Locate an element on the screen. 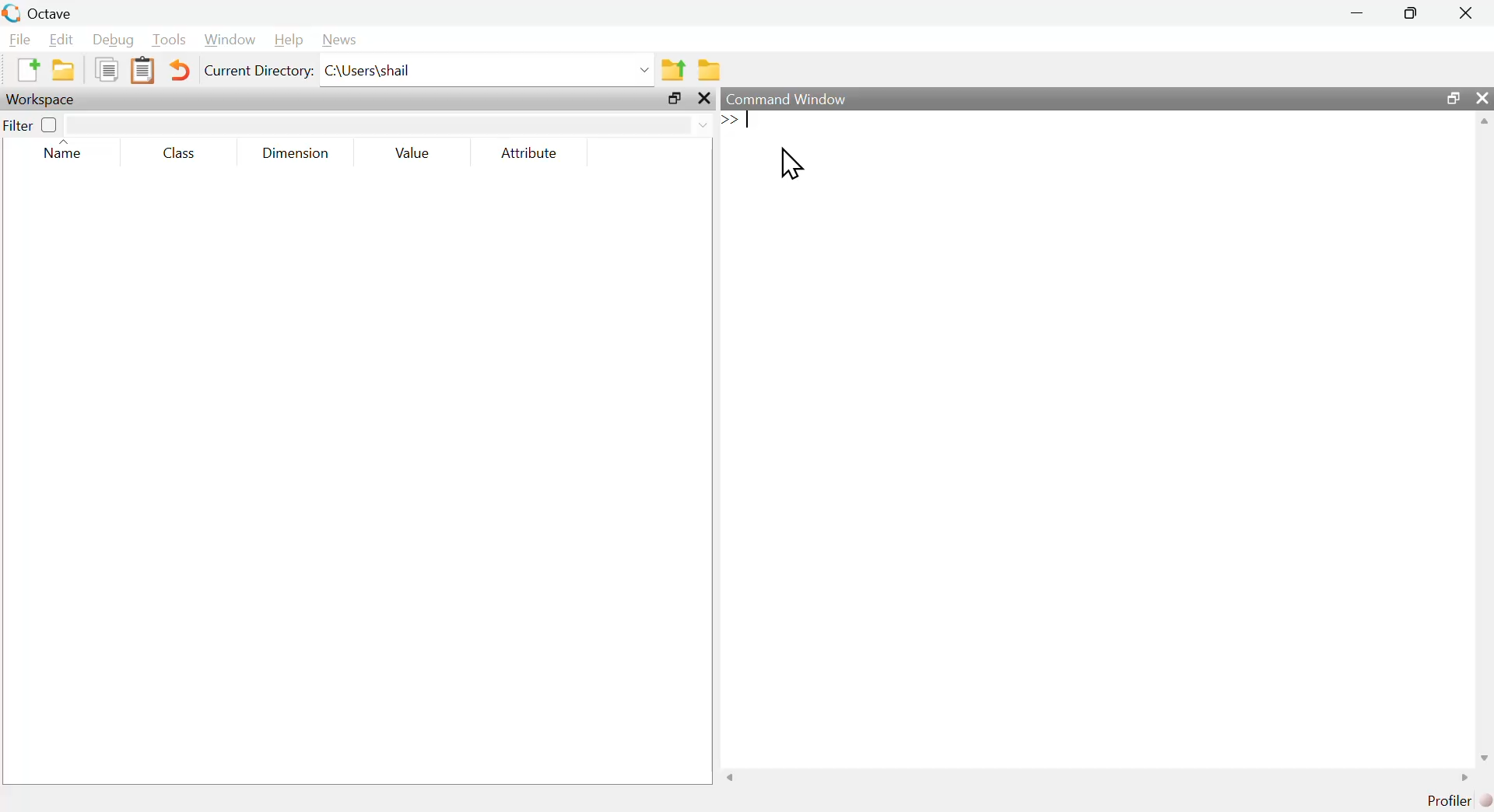  minimize is located at coordinates (1360, 15).